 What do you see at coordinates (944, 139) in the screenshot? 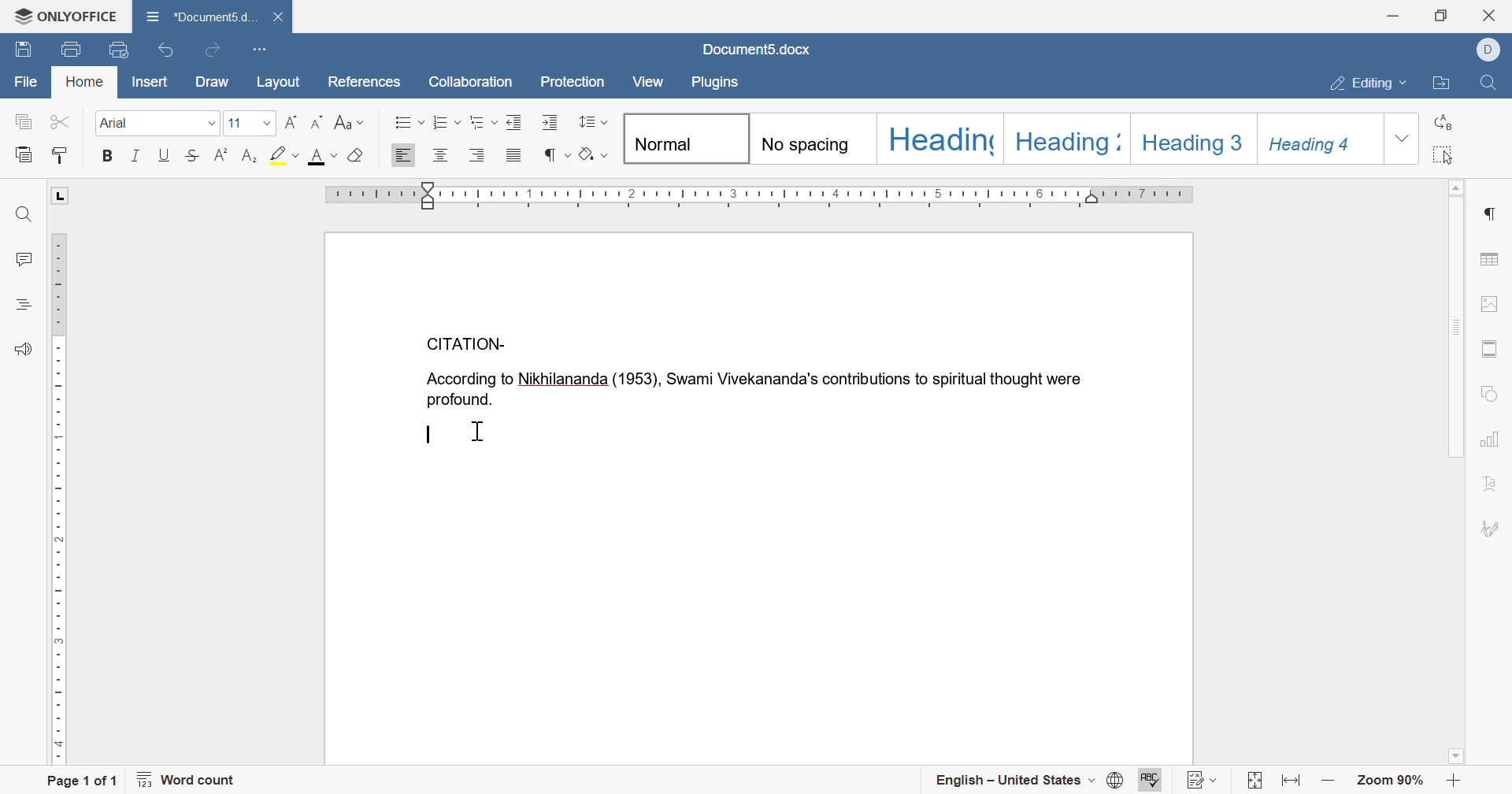
I see `Heading` at bounding box center [944, 139].